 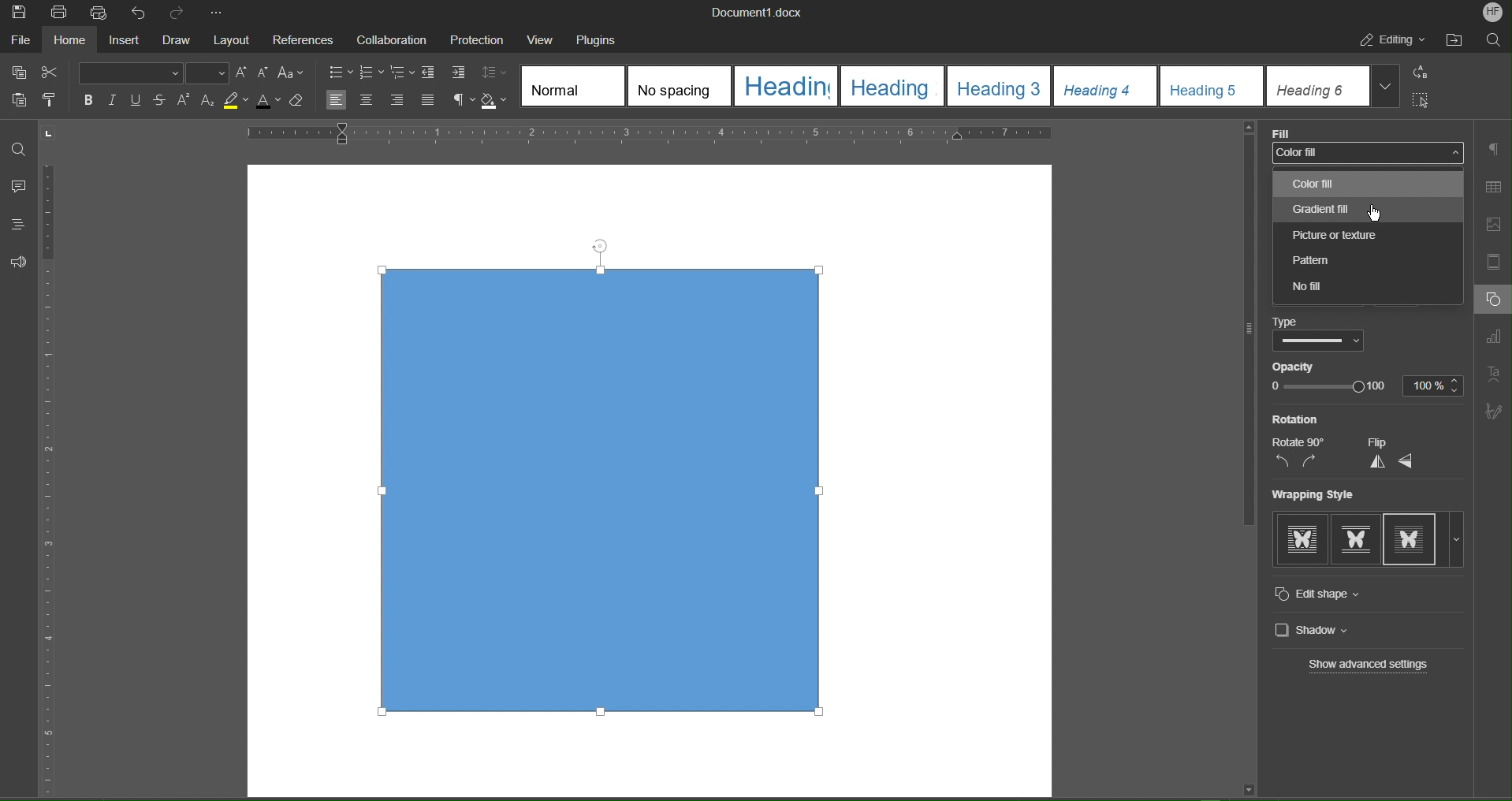 What do you see at coordinates (1212, 86) in the screenshot?
I see `Heading 5` at bounding box center [1212, 86].